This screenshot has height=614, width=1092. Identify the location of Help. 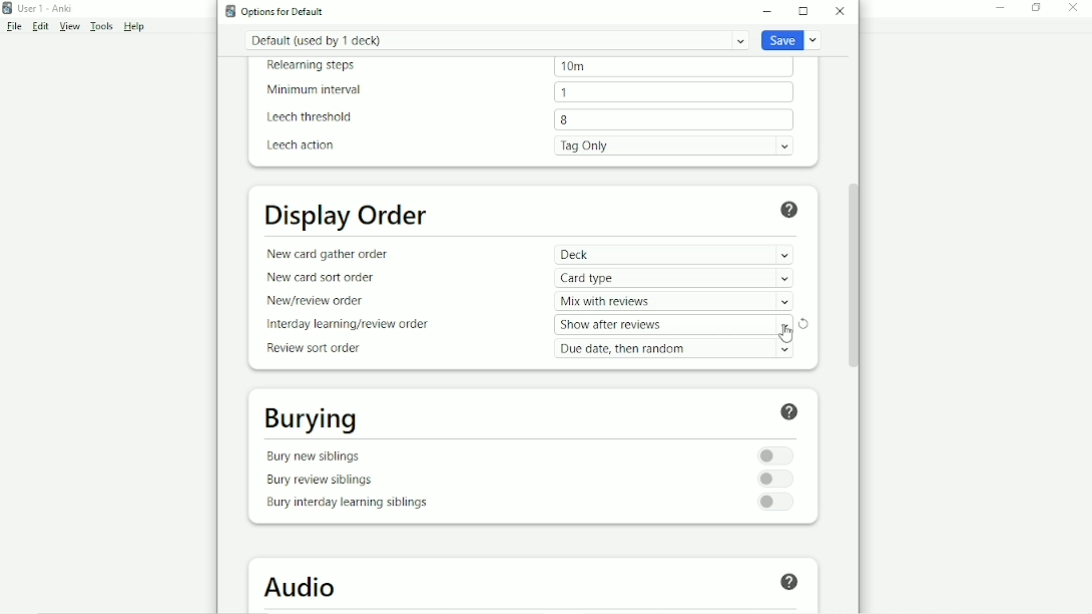
(787, 583).